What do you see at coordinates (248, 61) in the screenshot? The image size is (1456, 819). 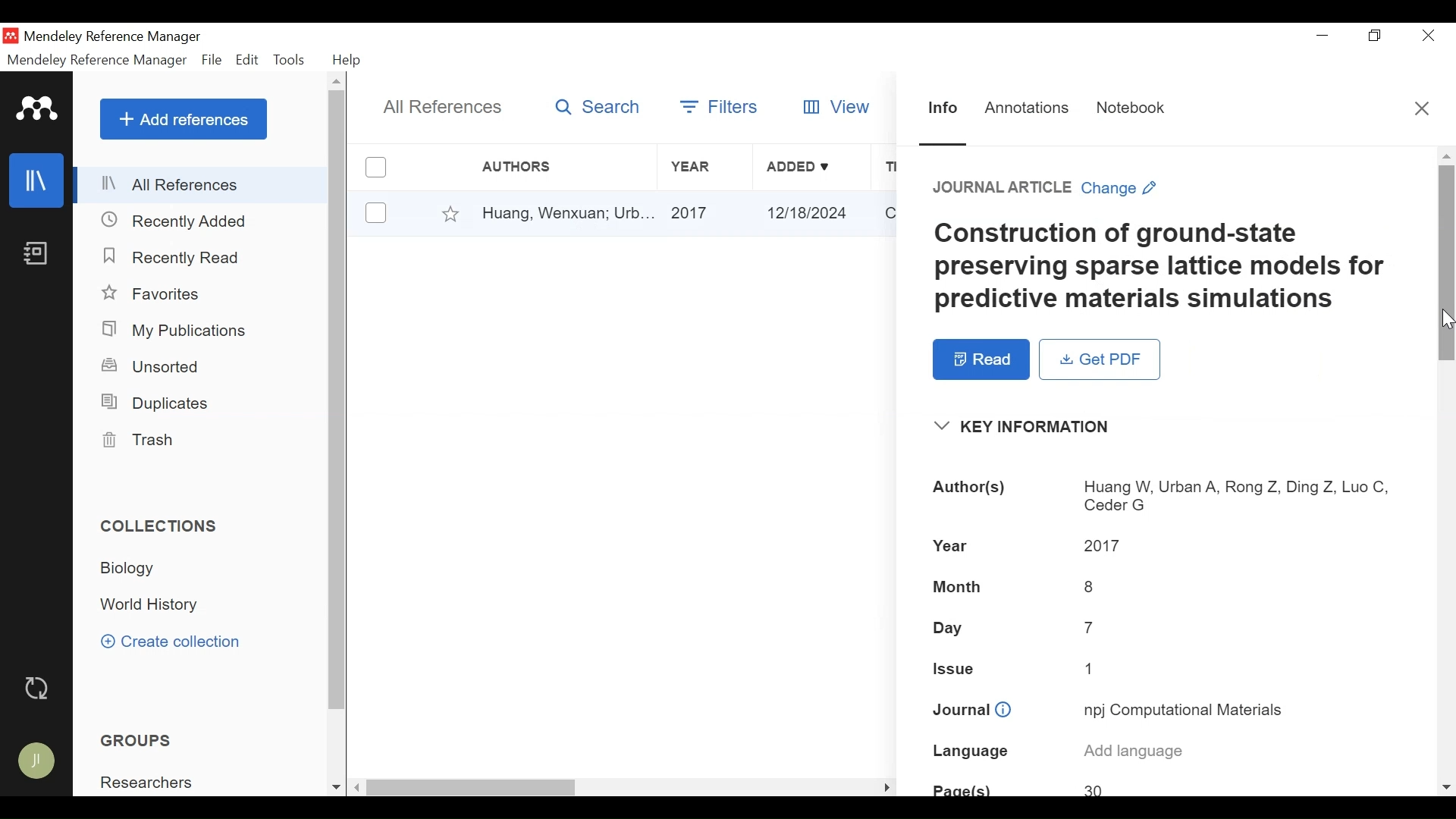 I see `Edit` at bounding box center [248, 61].